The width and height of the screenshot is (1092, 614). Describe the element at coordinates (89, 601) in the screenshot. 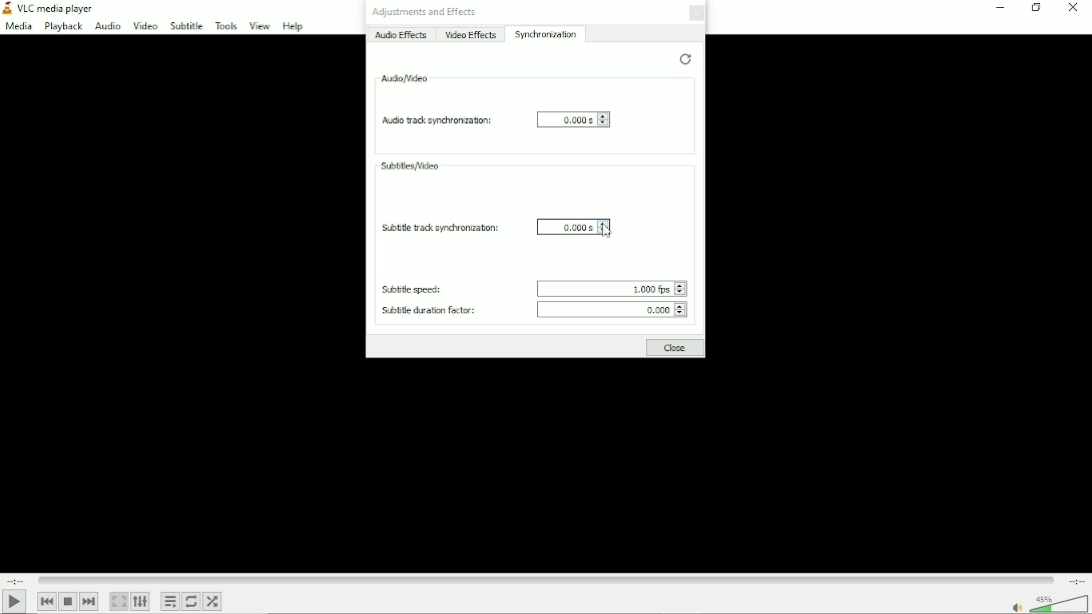

I see `Next` at that location.